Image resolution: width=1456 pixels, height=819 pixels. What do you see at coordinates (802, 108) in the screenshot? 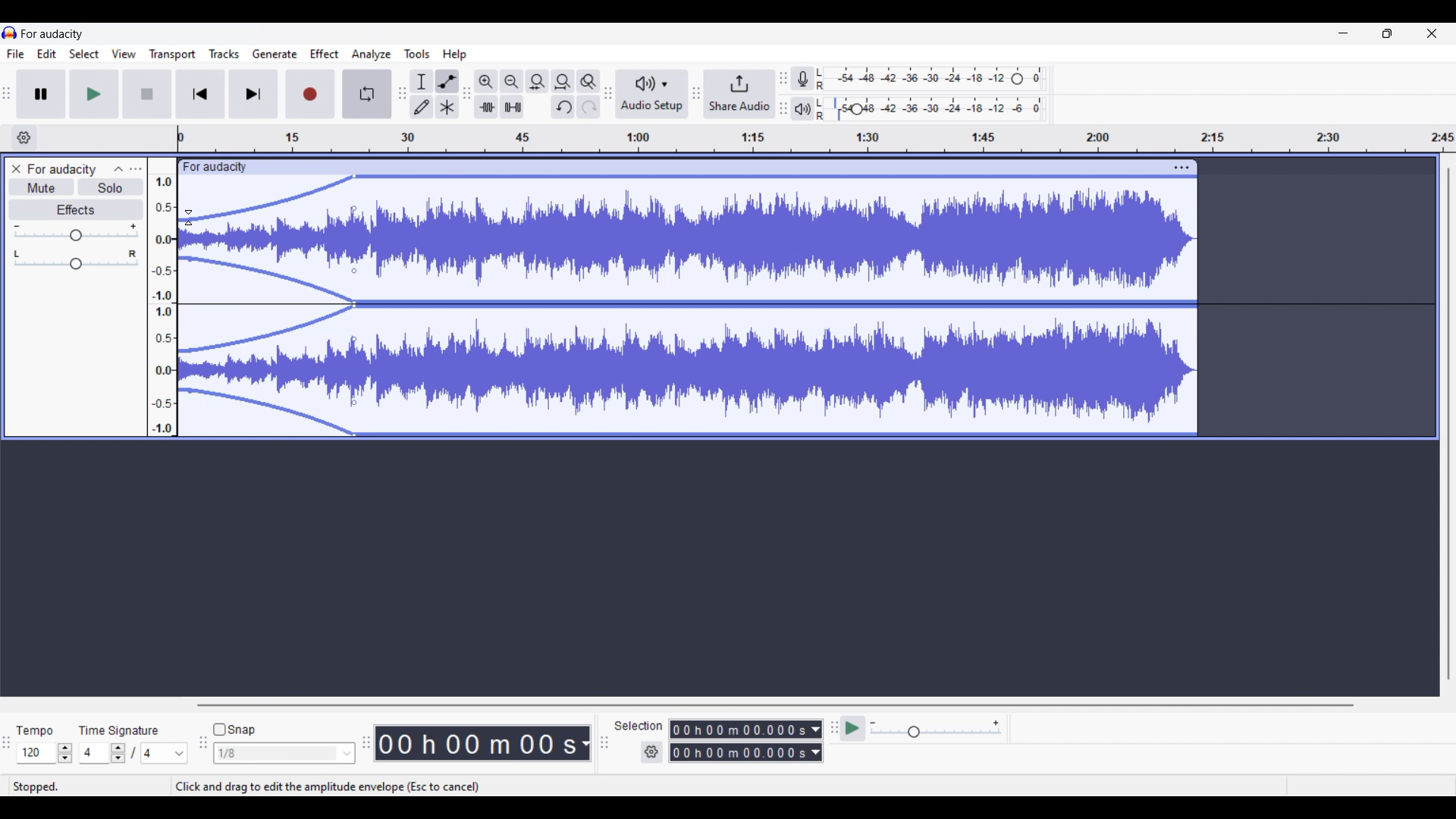
I see `Playback meter` at bounding box center [802, 108].